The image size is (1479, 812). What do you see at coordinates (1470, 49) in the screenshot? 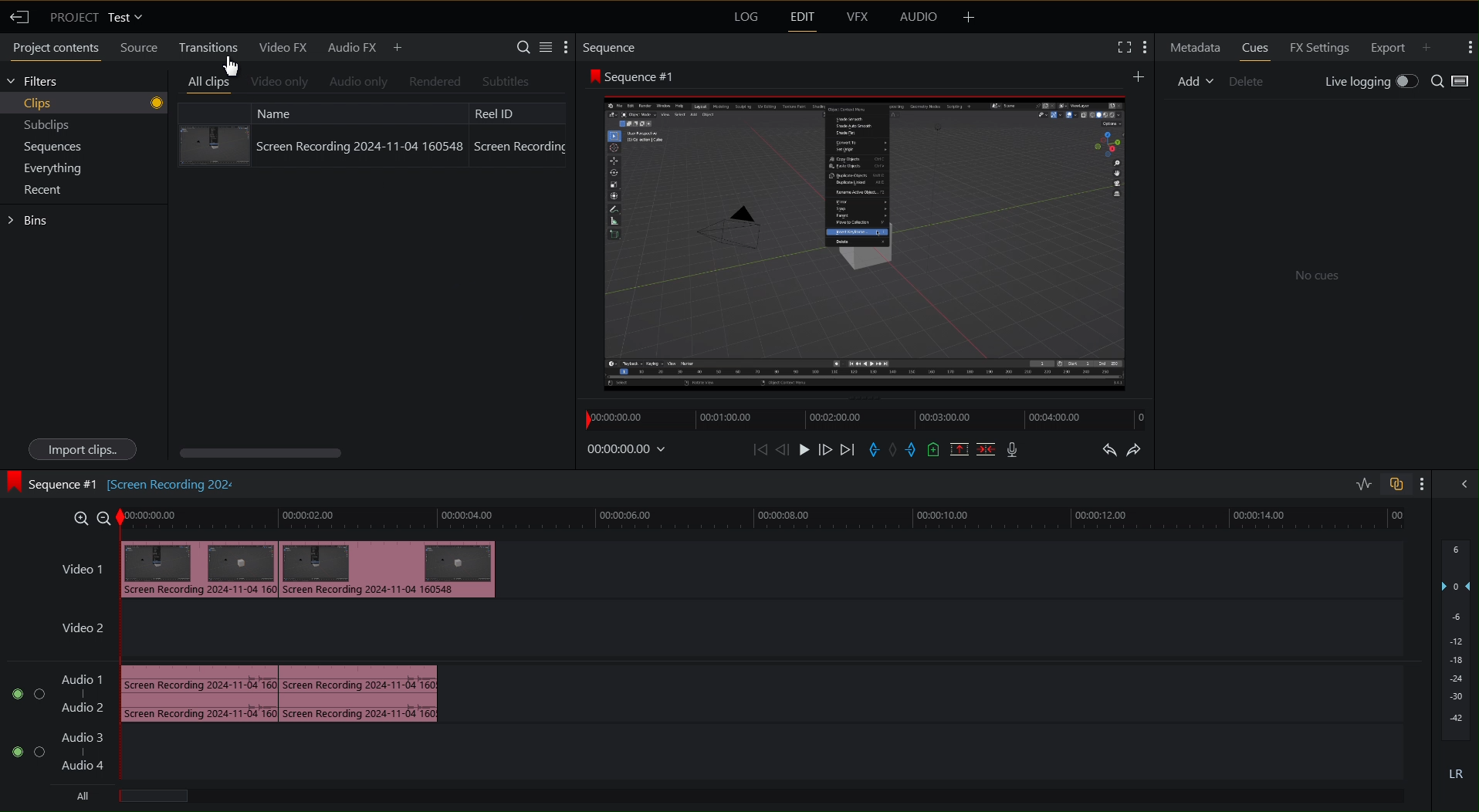
I see `More` at bounding box center [1470, 49].